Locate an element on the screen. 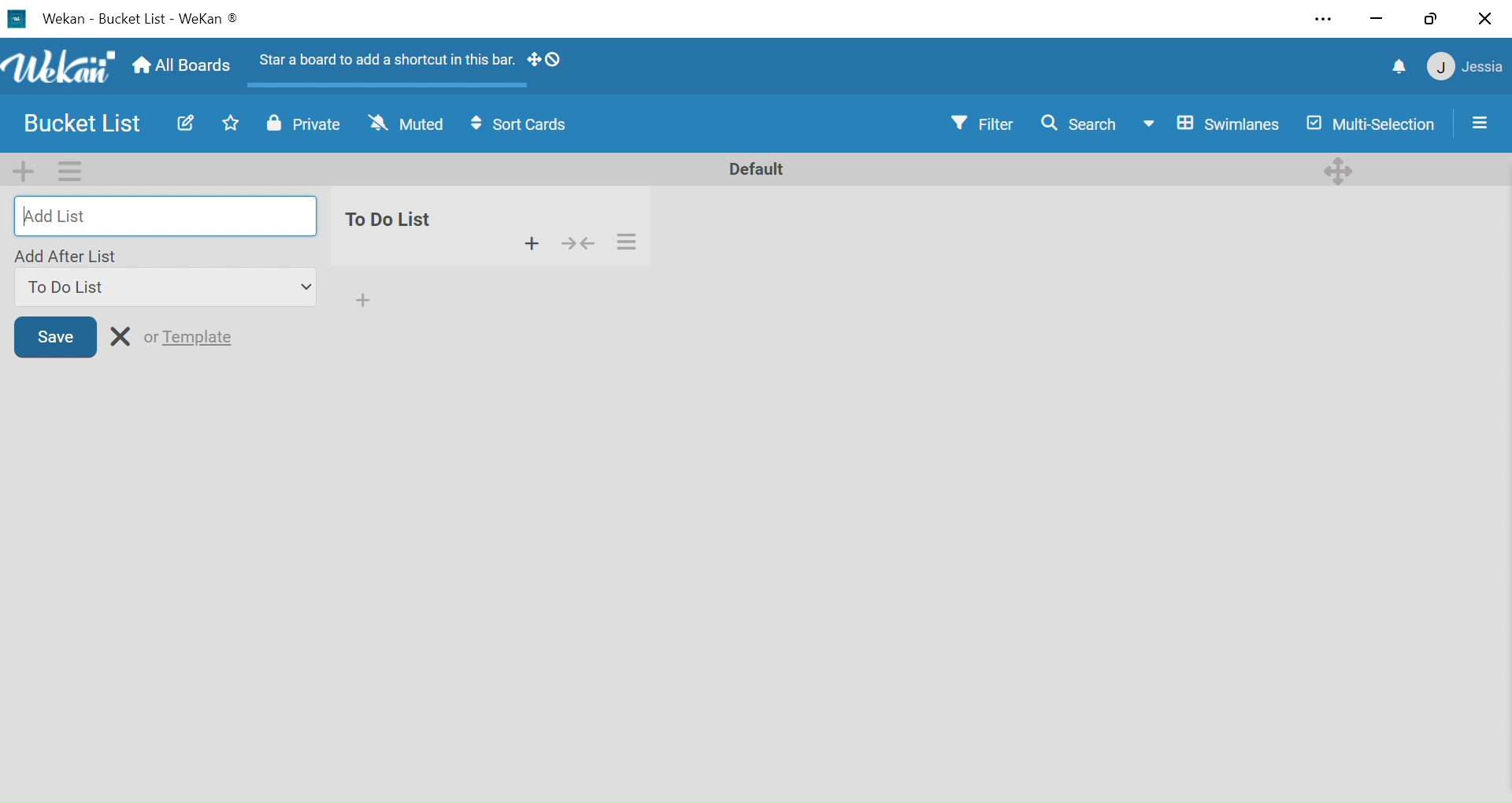 This screenshot has height=803, width=1512. Close is located at coordinates (1484, 20).